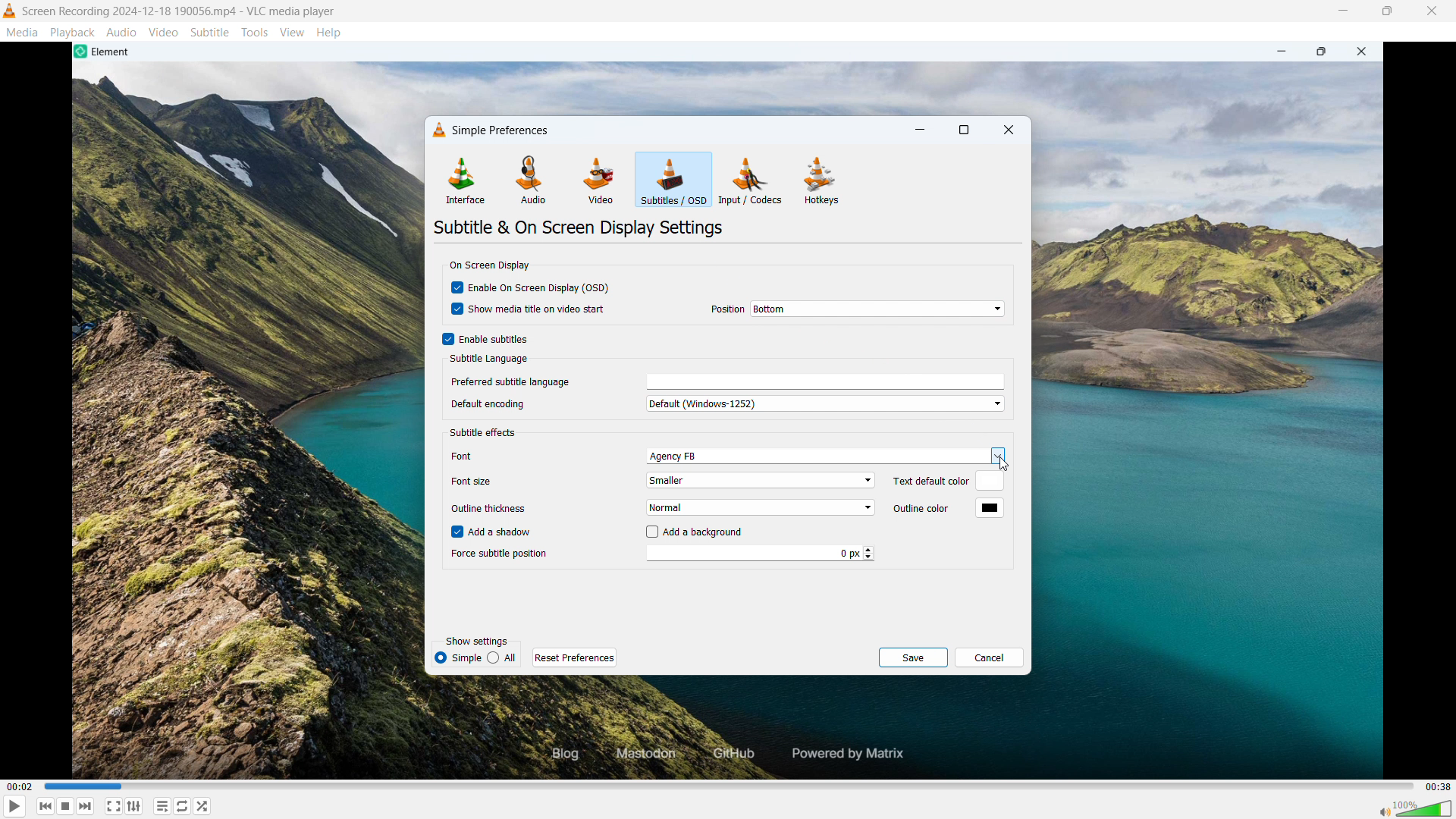 This screenshot has height=819, width=1456. What do you see at coordinates (45, 806) in the screenshot?
I see `backward or previous media` at bounding box center [45, 806].